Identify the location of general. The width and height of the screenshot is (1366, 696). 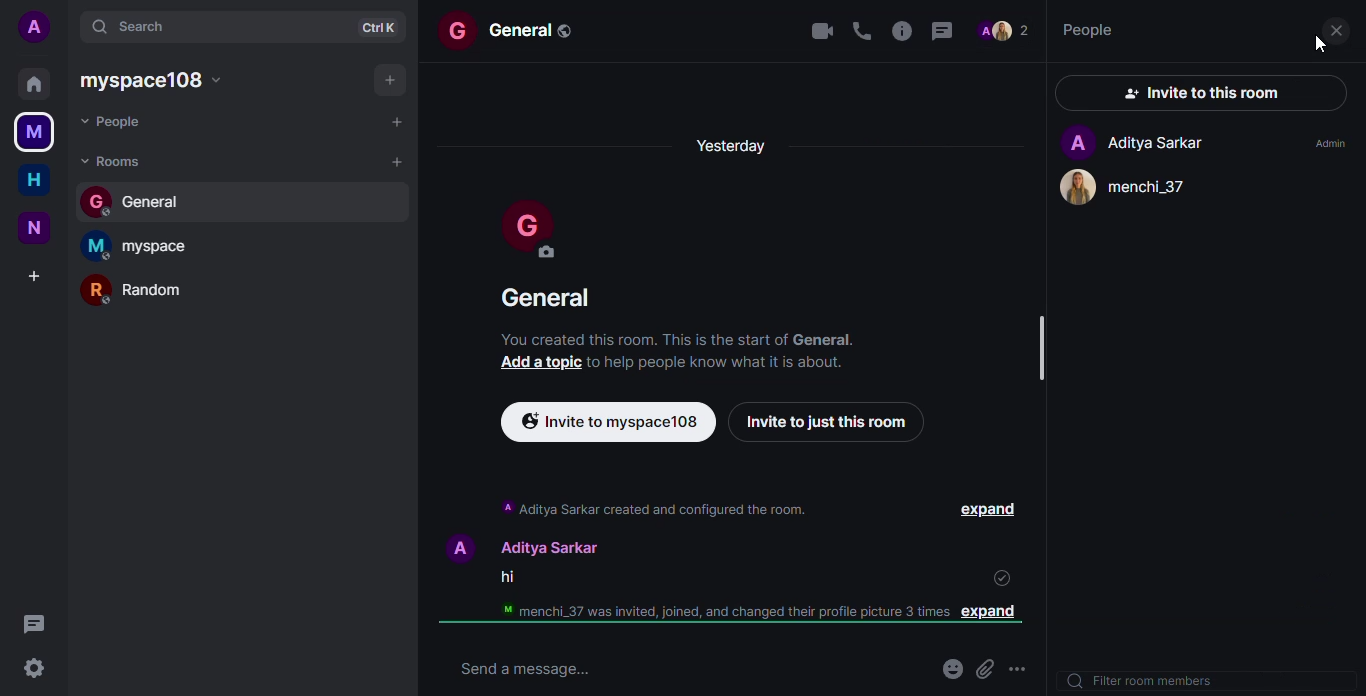
(545, 300).